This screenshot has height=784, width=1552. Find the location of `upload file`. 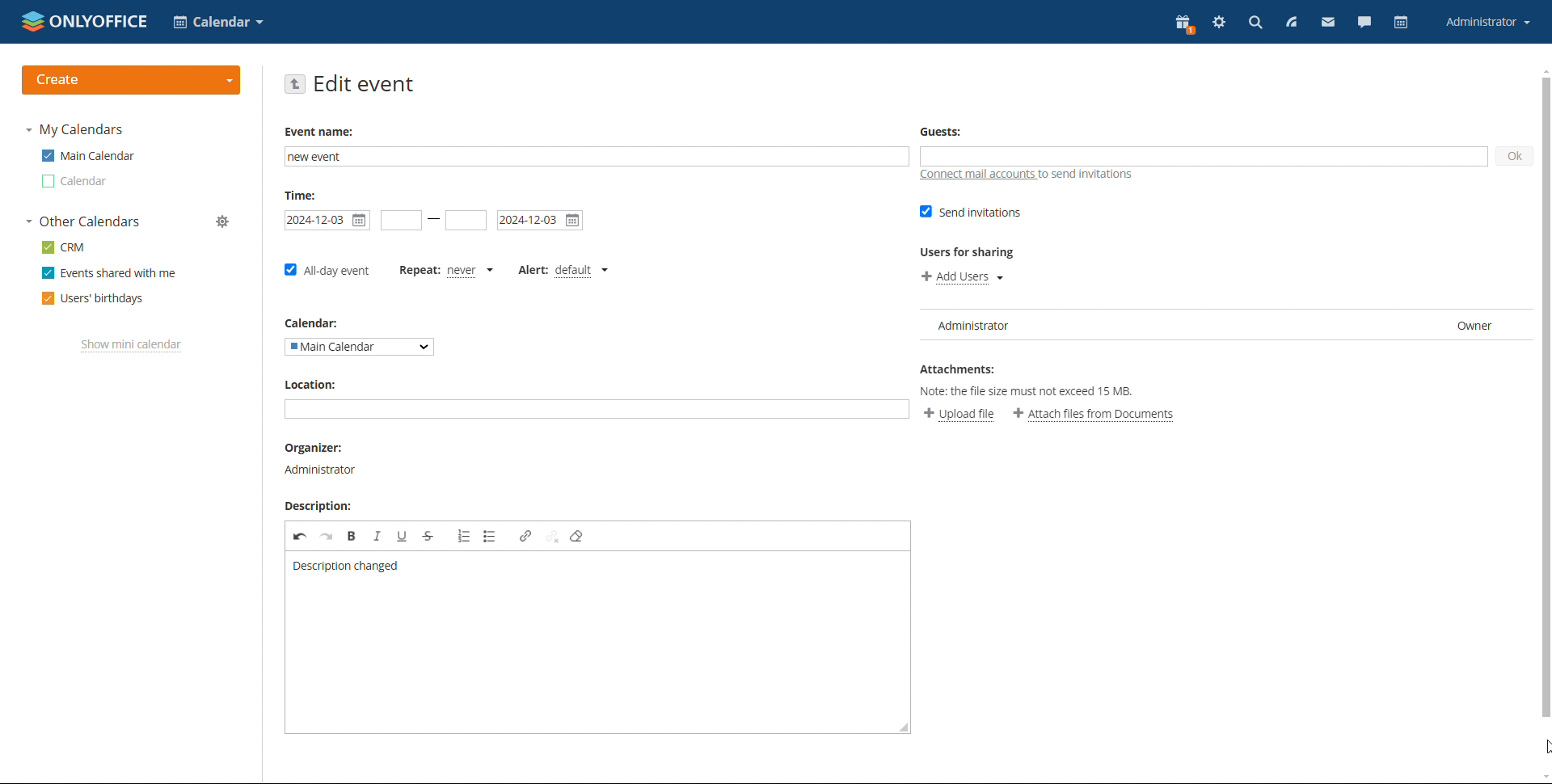

upload file is located at coordinates (959, 415).